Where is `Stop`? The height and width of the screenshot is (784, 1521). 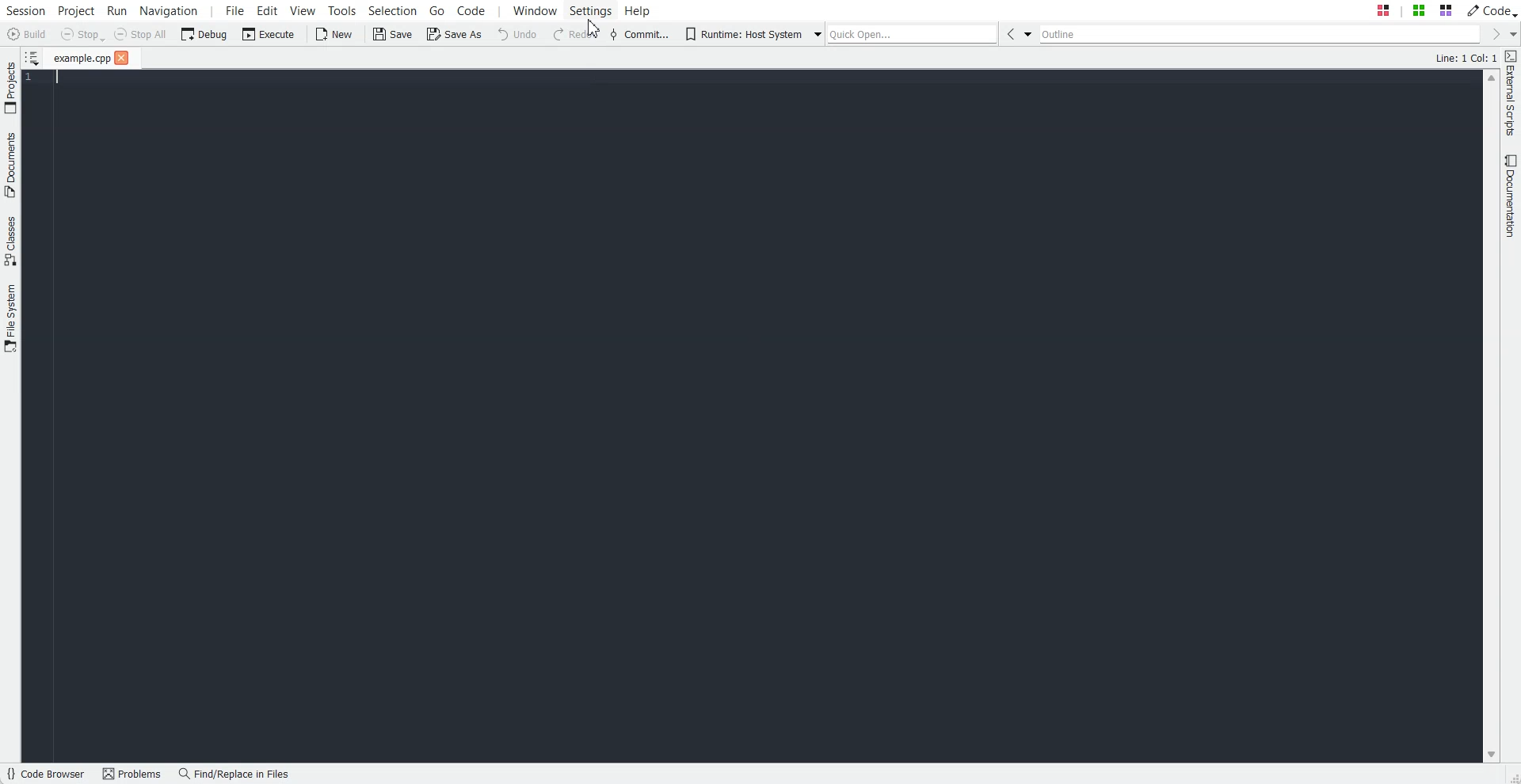
Stop is located at coordinates (82, 35).